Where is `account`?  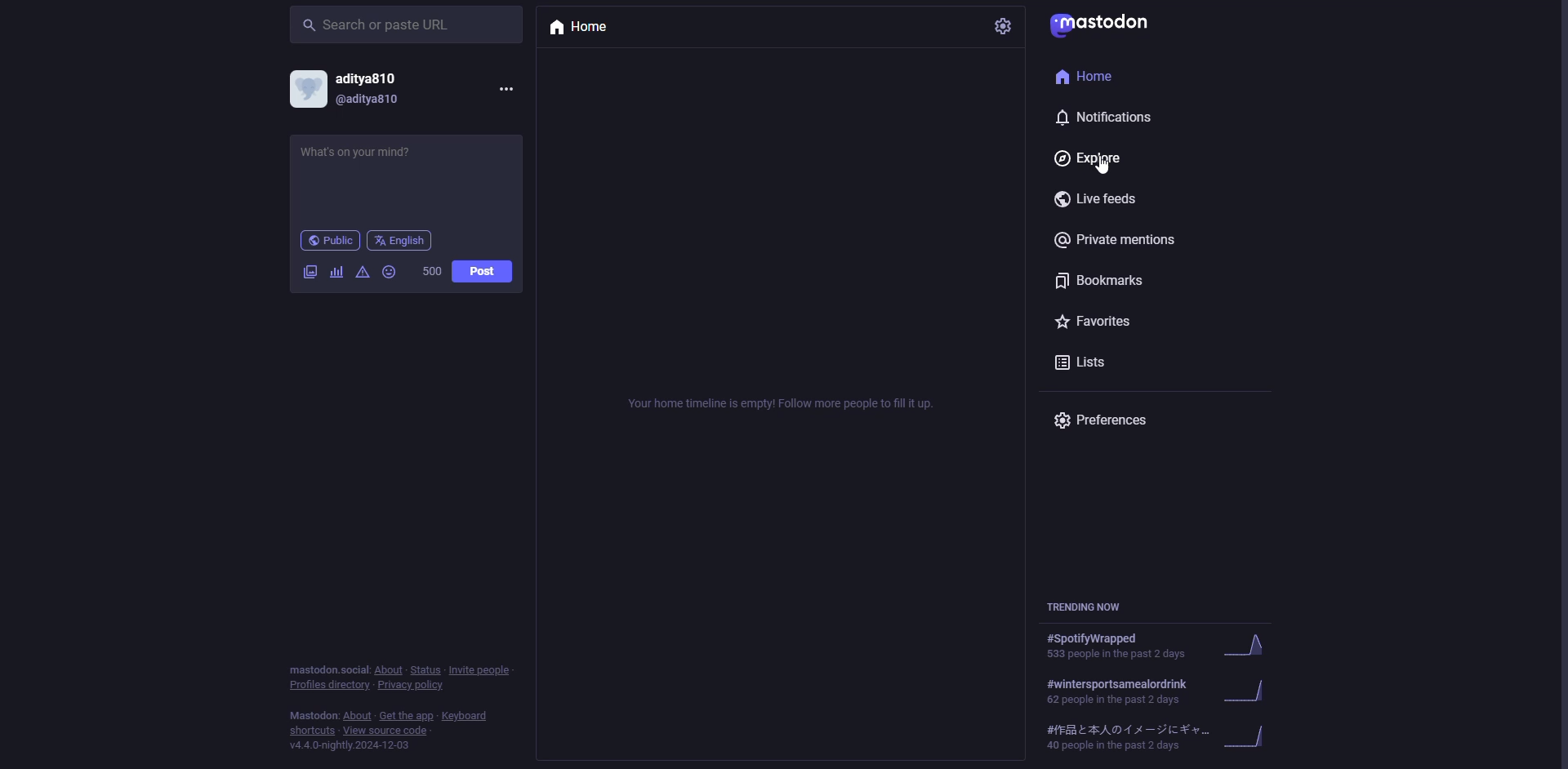 account is located at coordinates (359, 89).